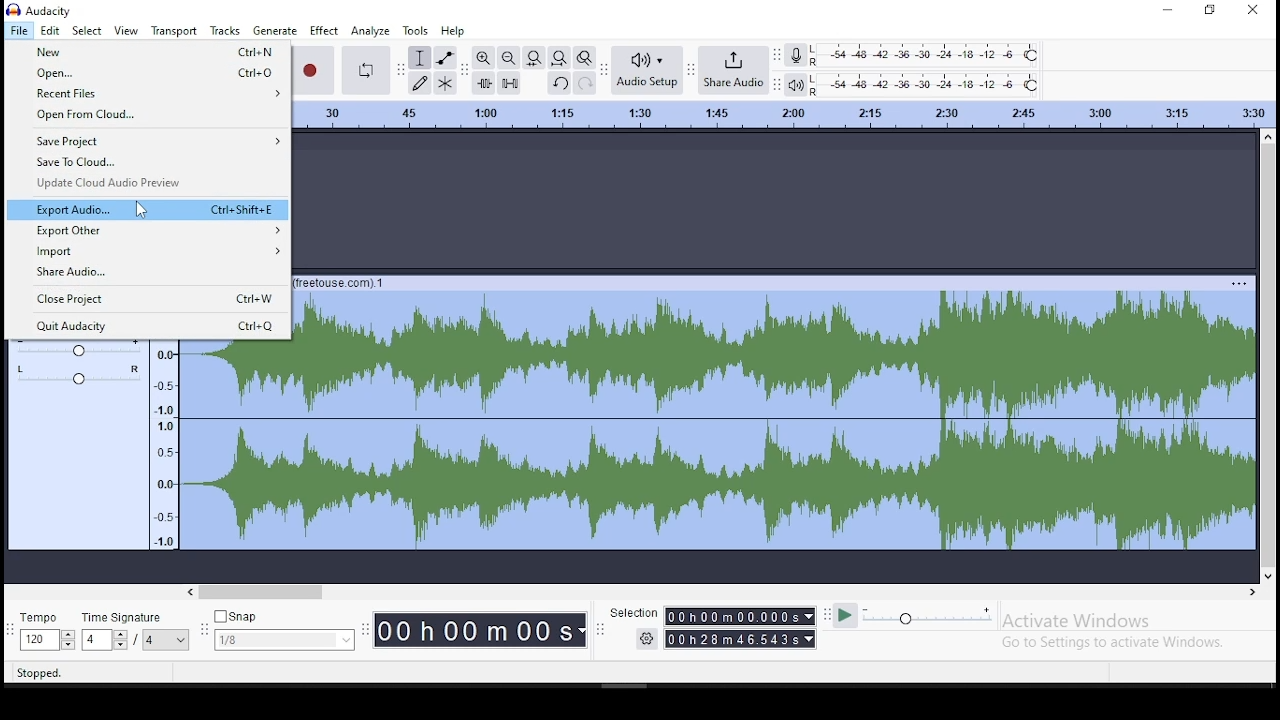 This screenshot has width=1280, height=720. I want to click on select, so click(88, 30).